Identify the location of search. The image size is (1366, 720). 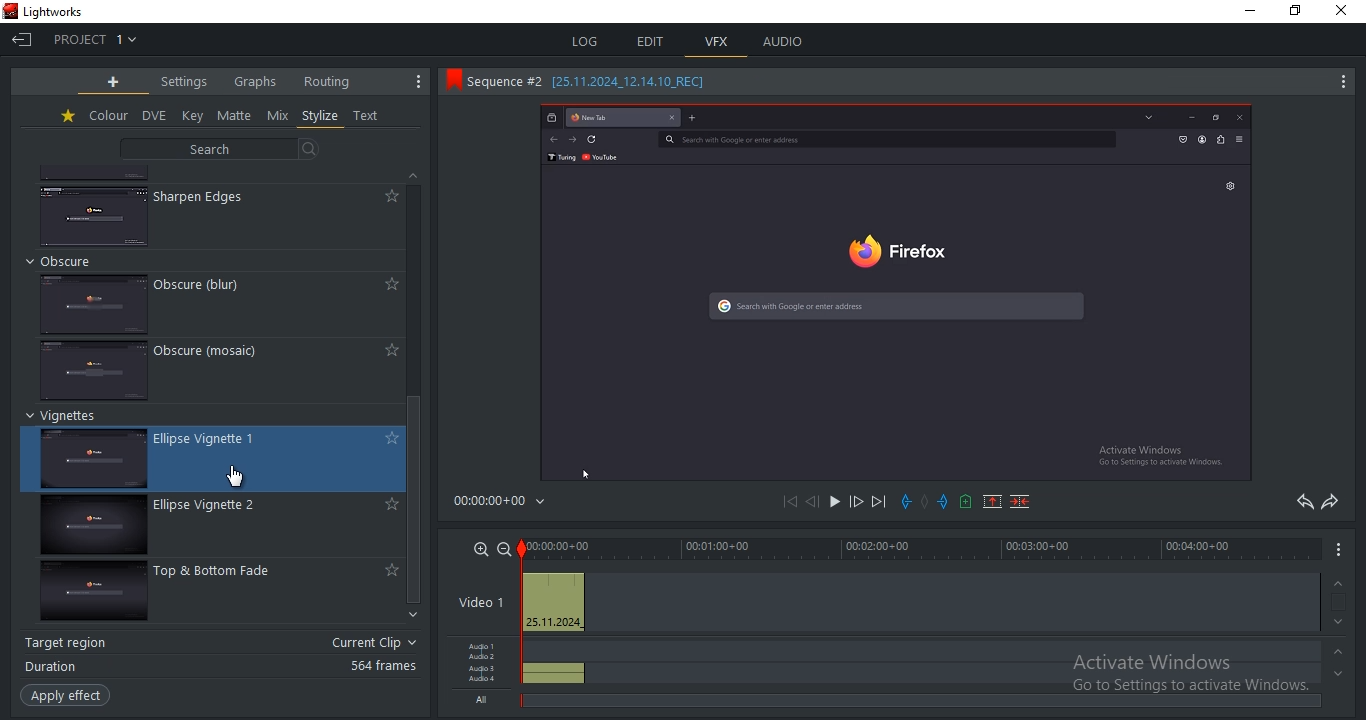
(220, 149).